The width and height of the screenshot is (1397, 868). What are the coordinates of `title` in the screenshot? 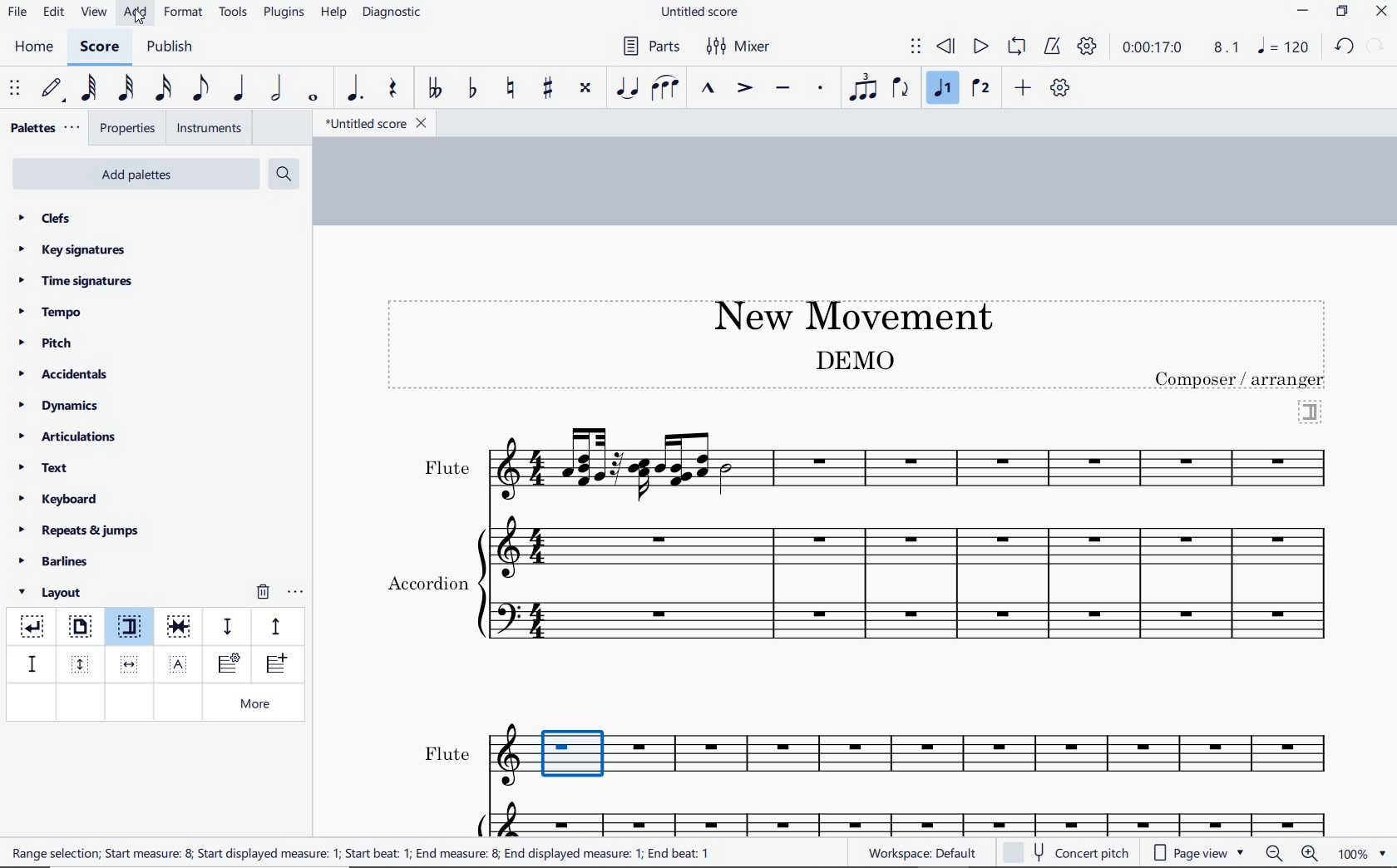 It's located at (845, 313).